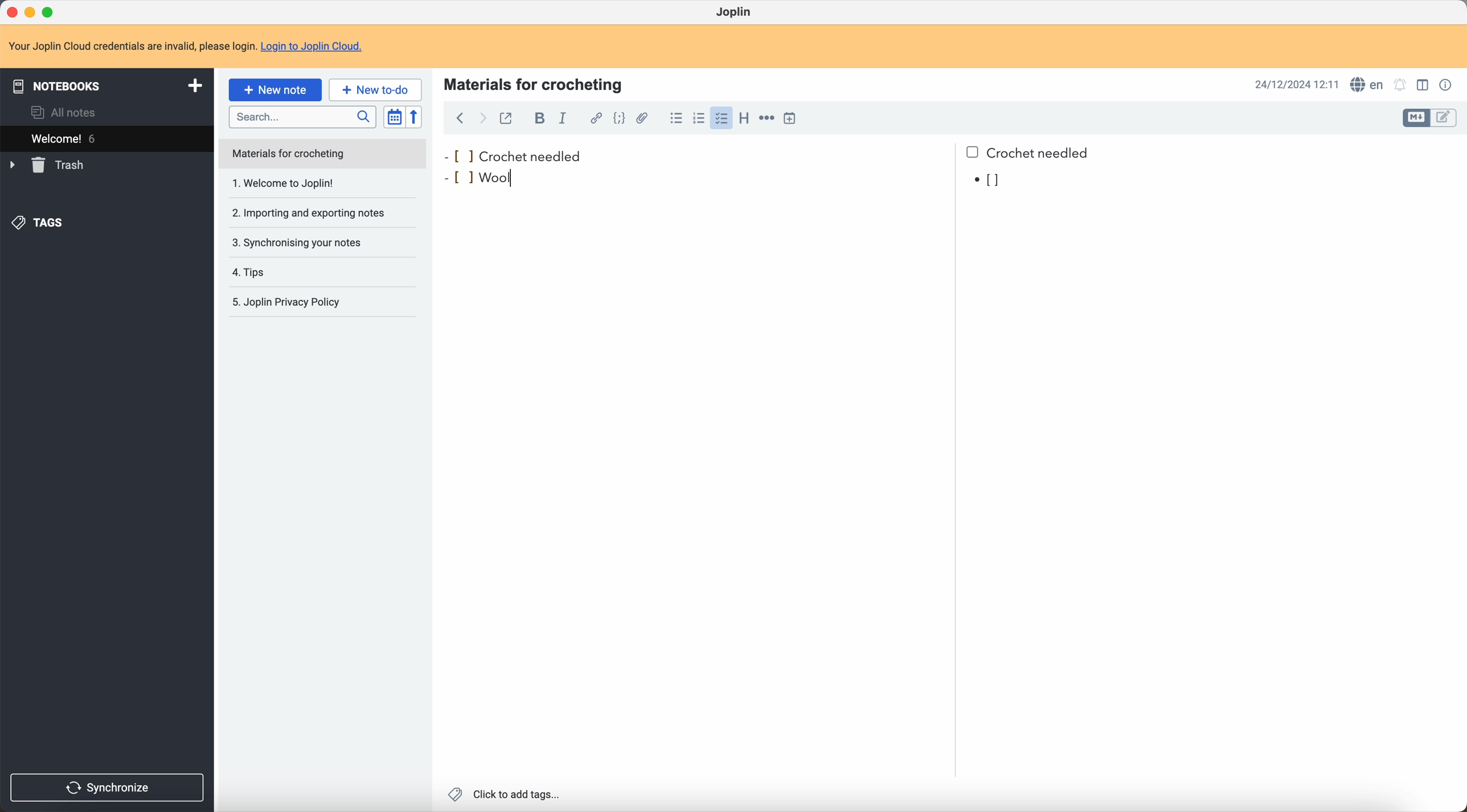 This screenshot has height=812, width=1467. What do you see at coordinates (769, 151) in the screenshot?
I see `crochet needled` at bounding box center [769, 151].